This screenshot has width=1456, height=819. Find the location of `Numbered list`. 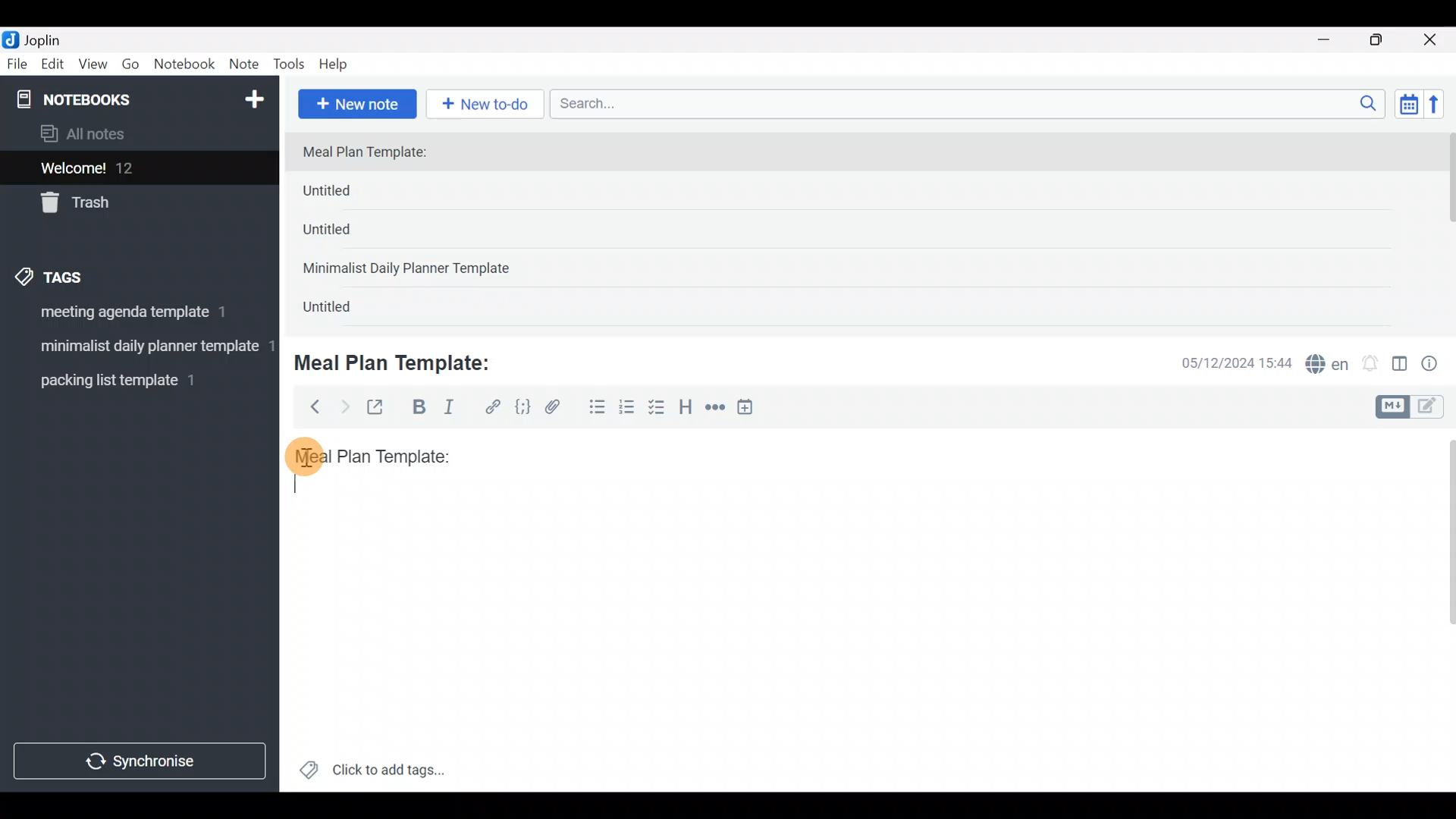

Numbered list is located at coordinates (627, 410).